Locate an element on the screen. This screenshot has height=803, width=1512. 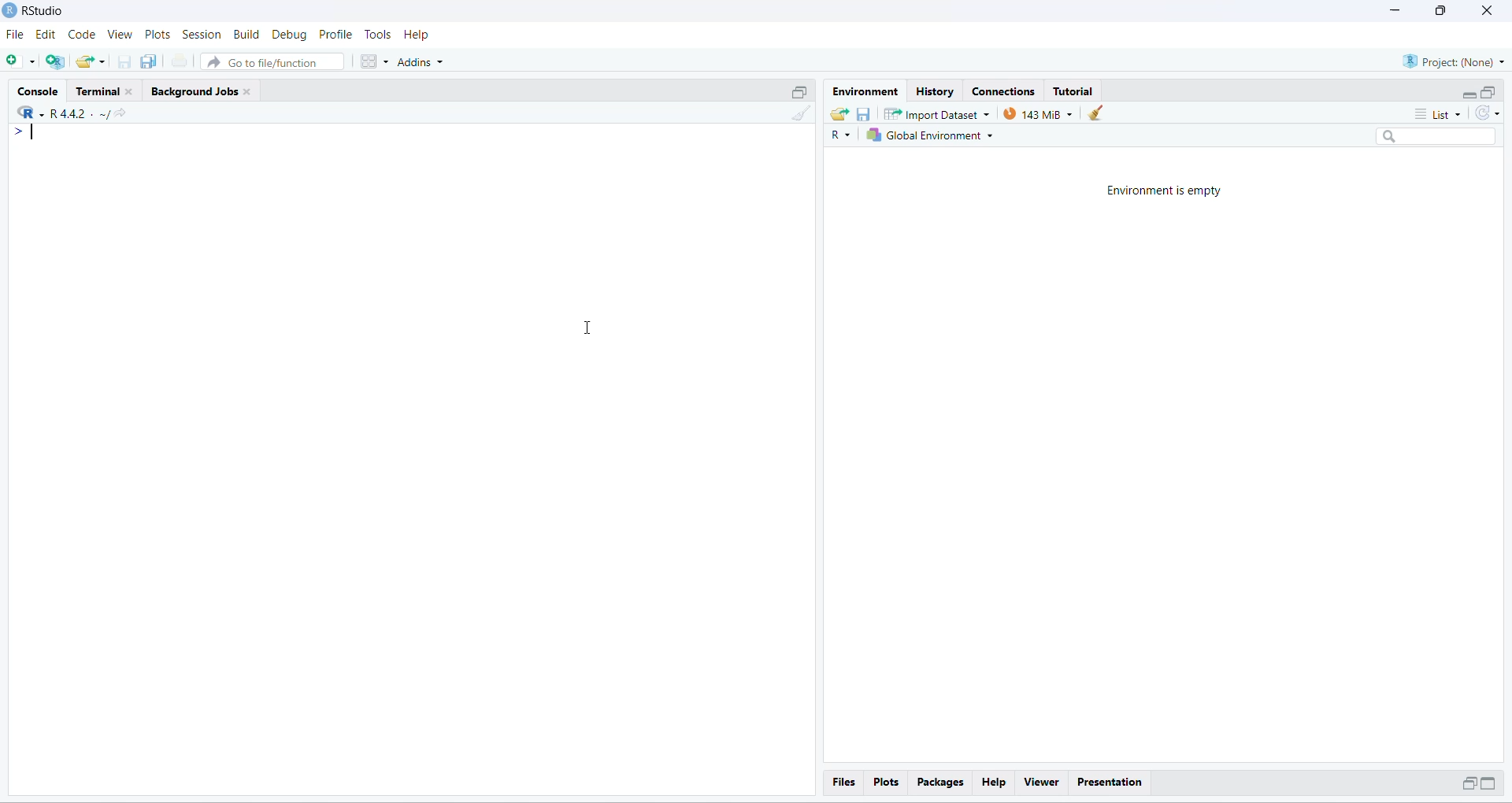
help is located at coordinates (995, 783).